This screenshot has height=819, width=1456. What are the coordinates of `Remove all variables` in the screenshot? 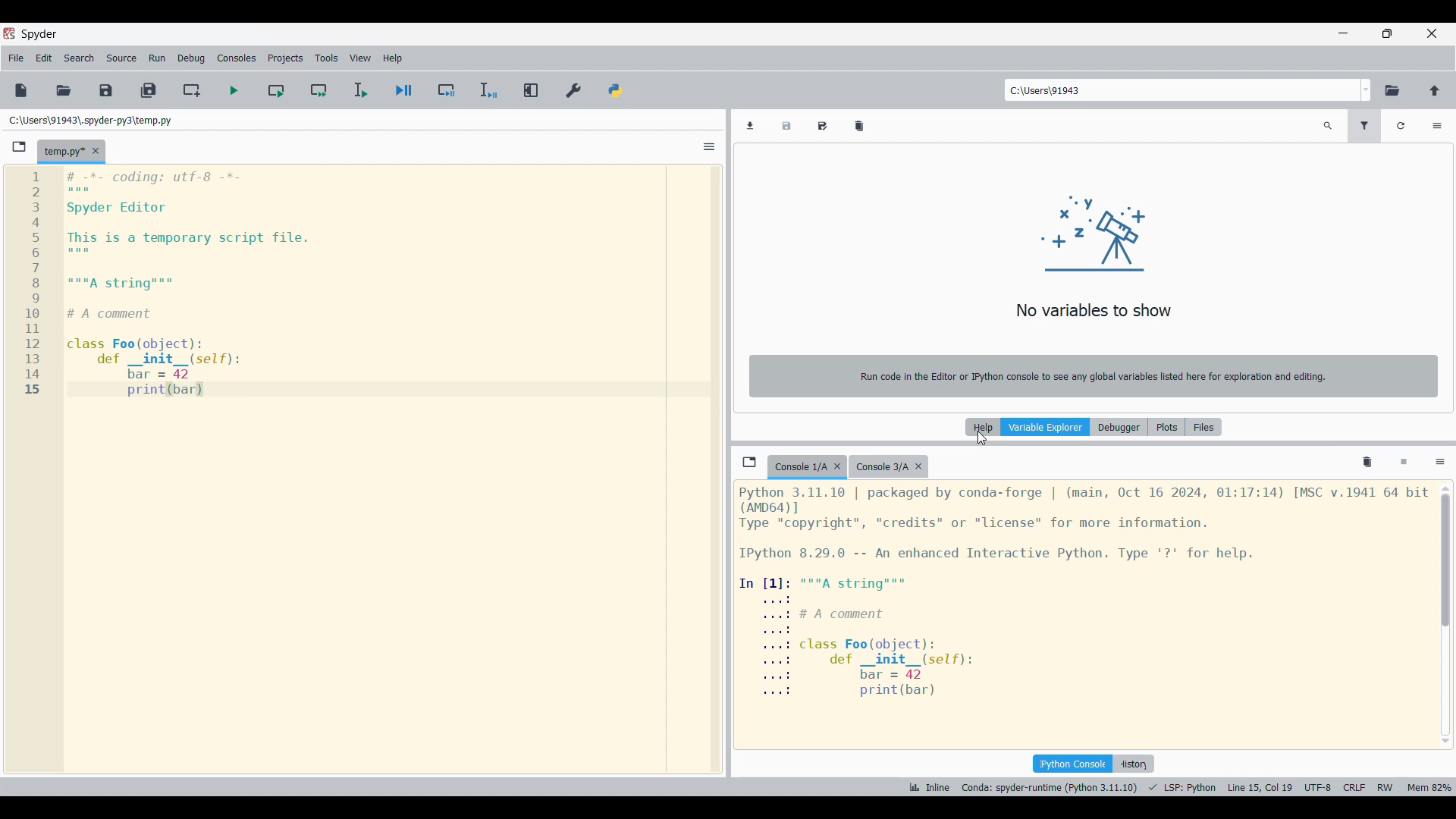 It's located at (859, 126).